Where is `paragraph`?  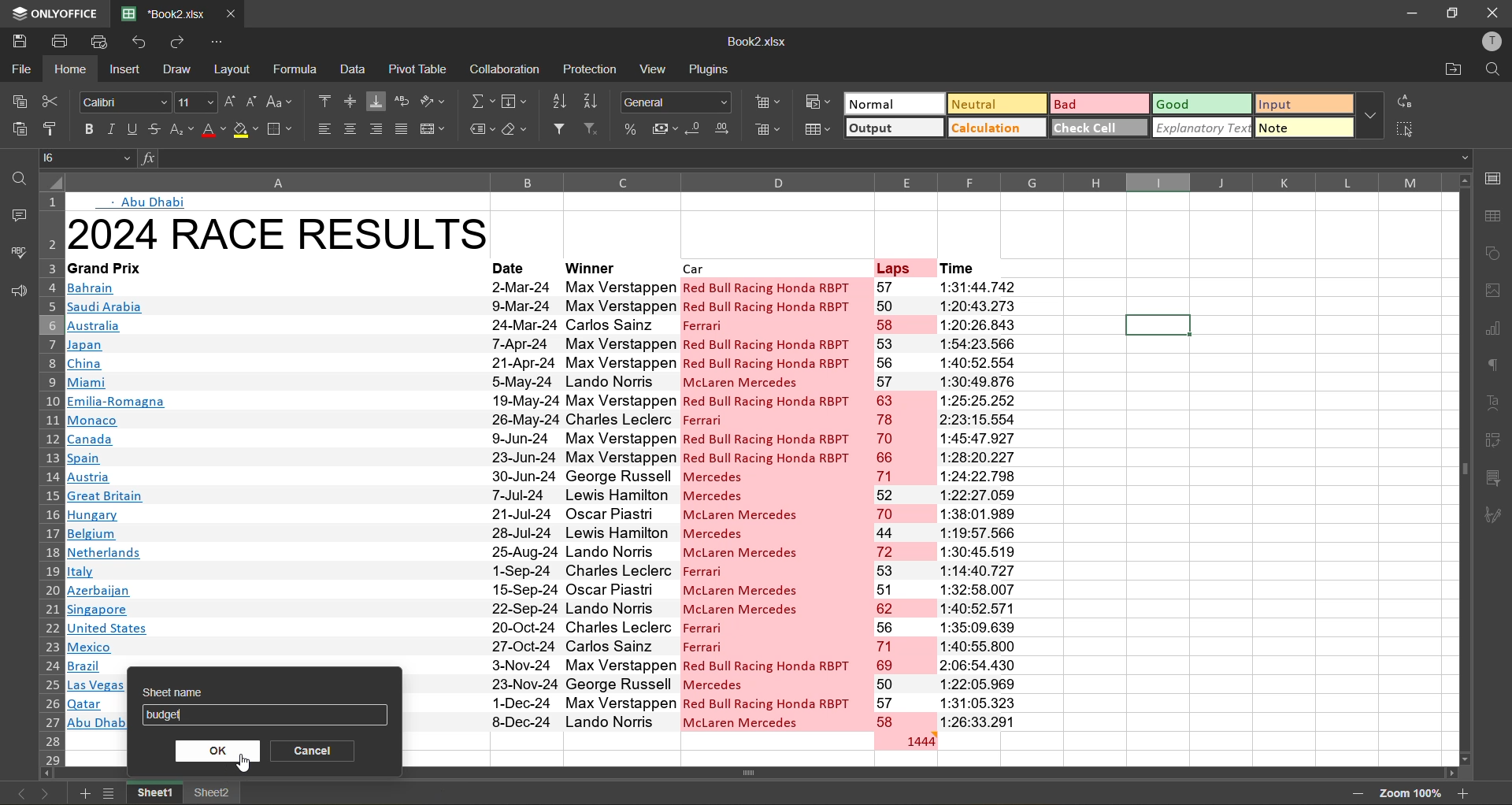
paragraph is located at coordinates (1495, 368).